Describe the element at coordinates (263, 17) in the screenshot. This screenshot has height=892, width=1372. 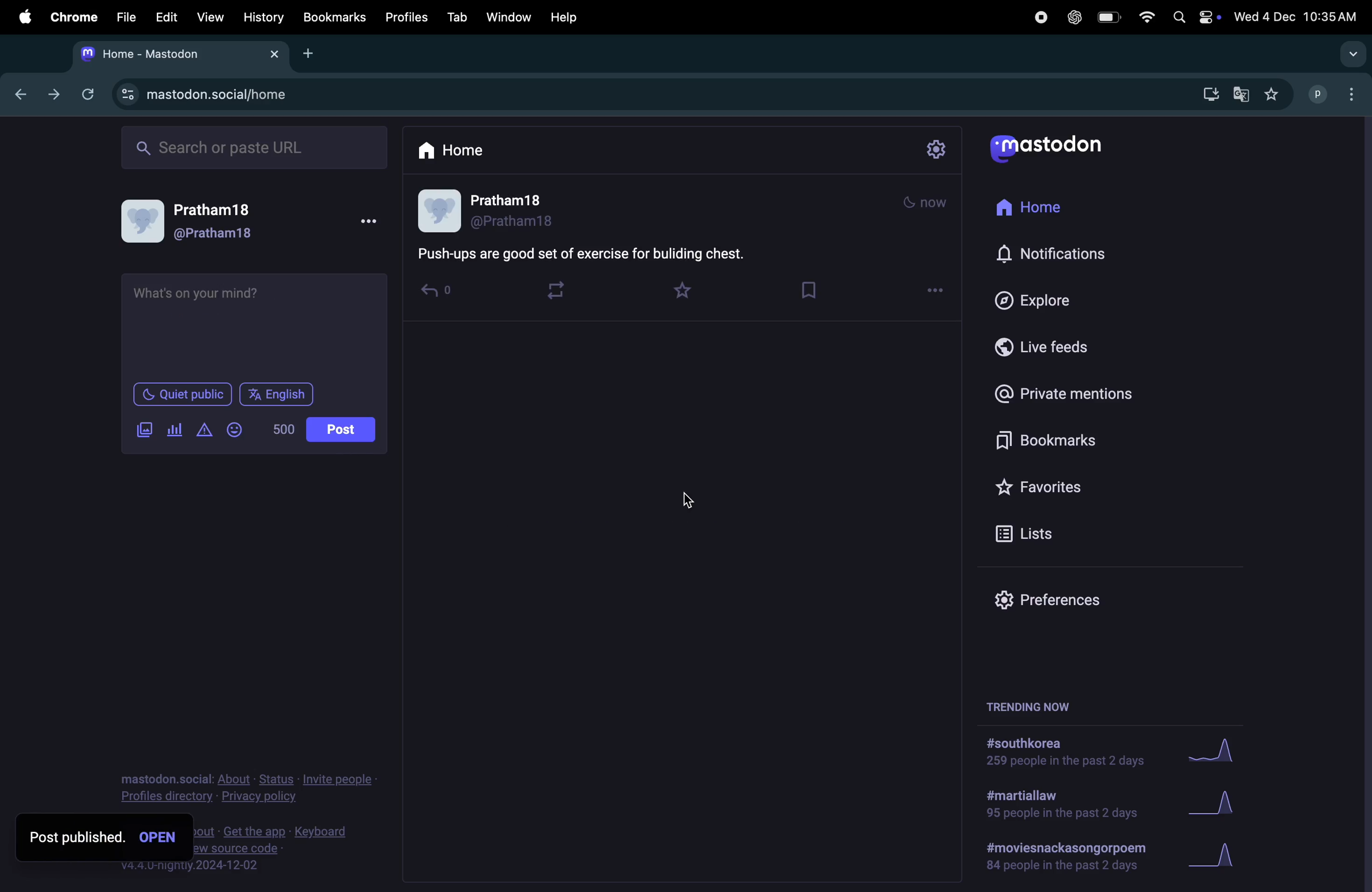
I see `History` at that location.